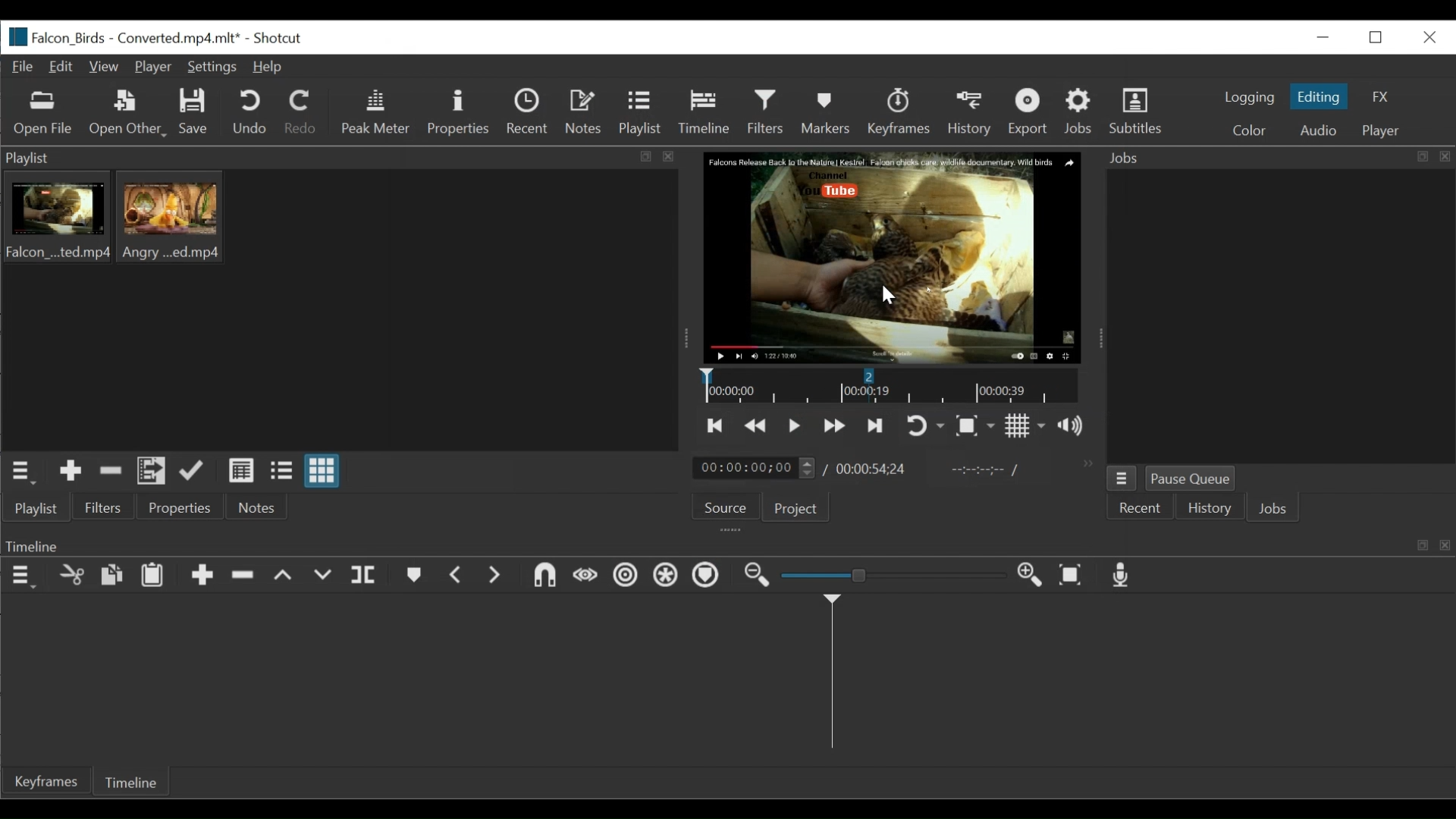 This screenshot has height=819, width=1456. What do you see at coordinates (1247, 99) in the screenshot?
I see `logging` at bounding box center [1247, 99].